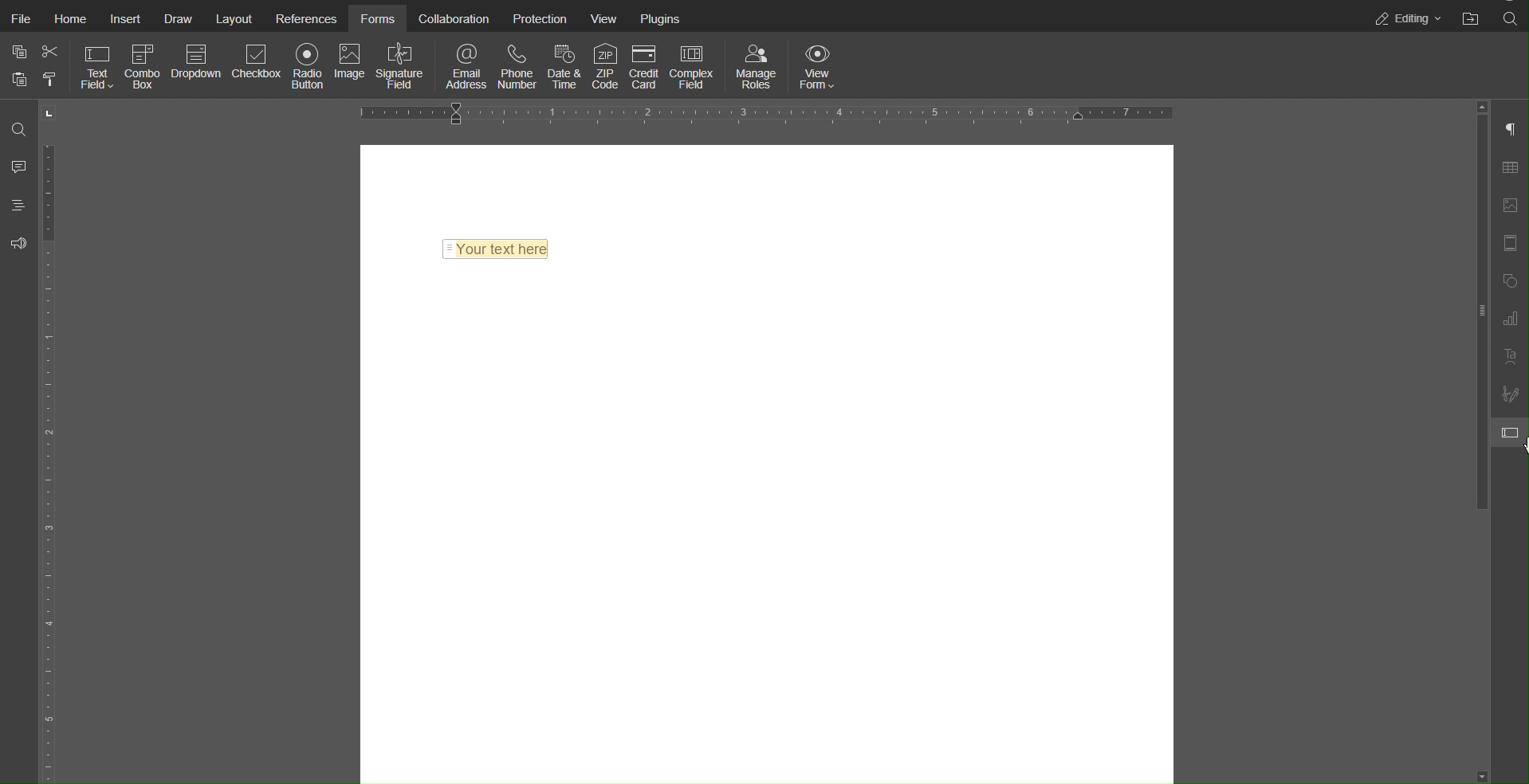  Describe the element at coordinates (349, 68) in the screenshot. I see `Image` at that location.